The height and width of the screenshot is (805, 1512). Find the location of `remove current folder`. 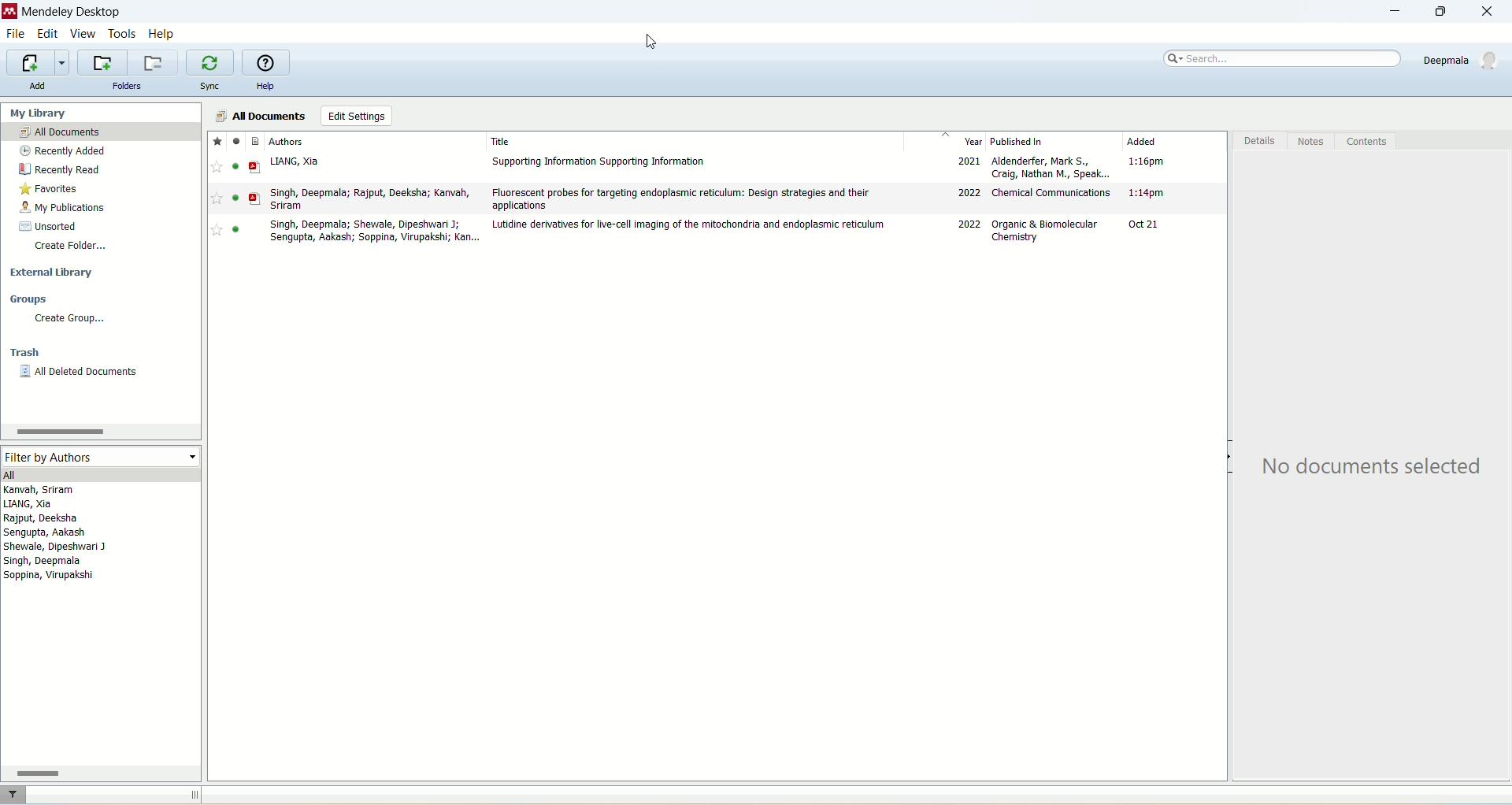

remove current folder is located at coordinates (154, 62).